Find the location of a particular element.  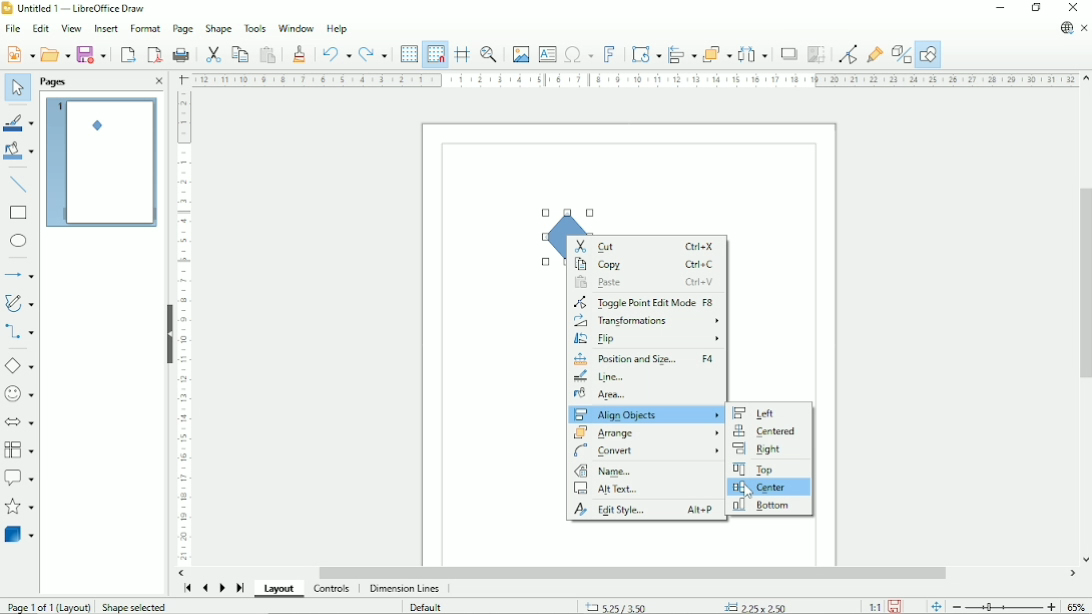

Transformation is located at coordinates (646, 52).